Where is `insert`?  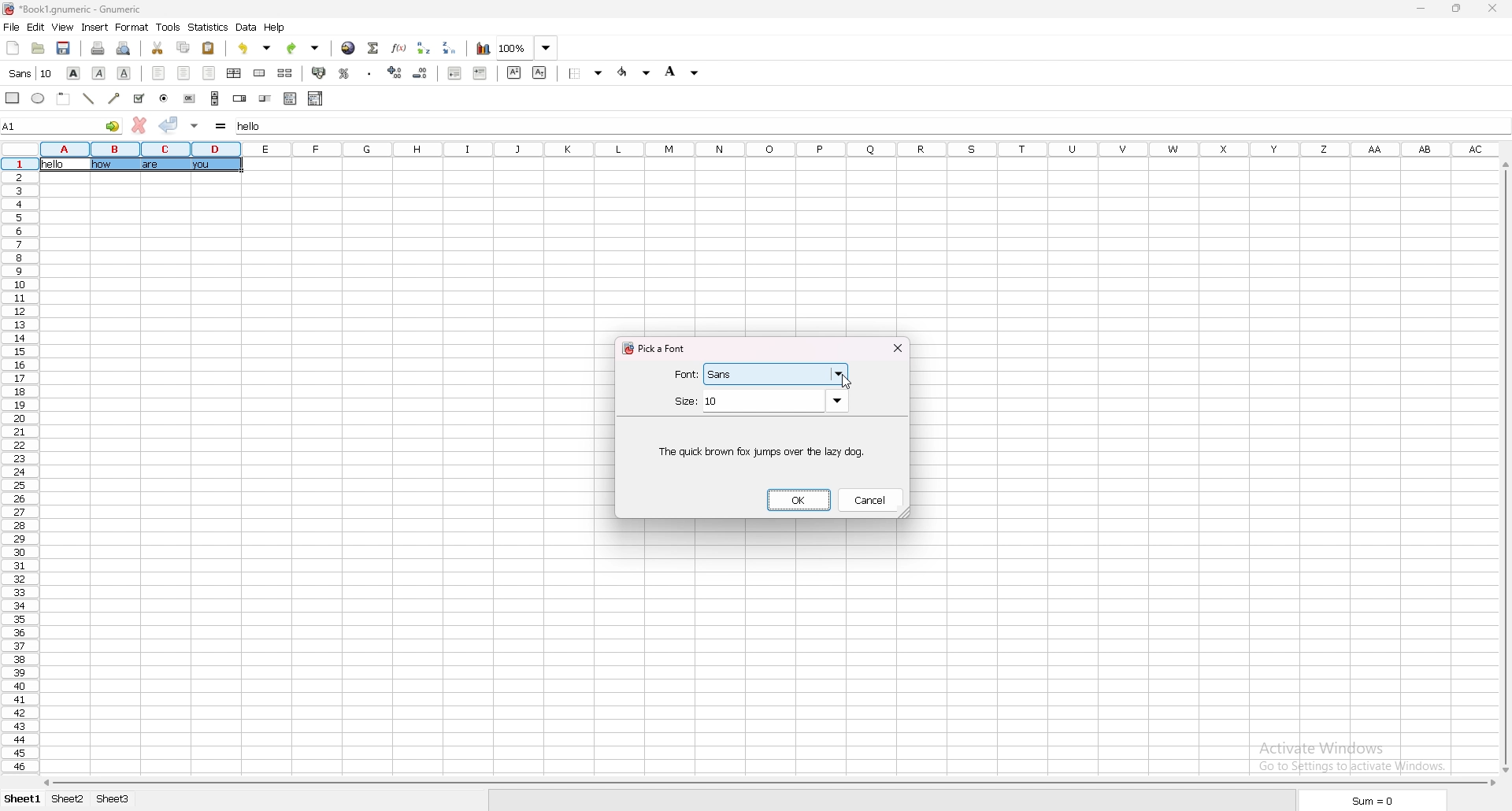 insert is located at coordinates (96, 26).